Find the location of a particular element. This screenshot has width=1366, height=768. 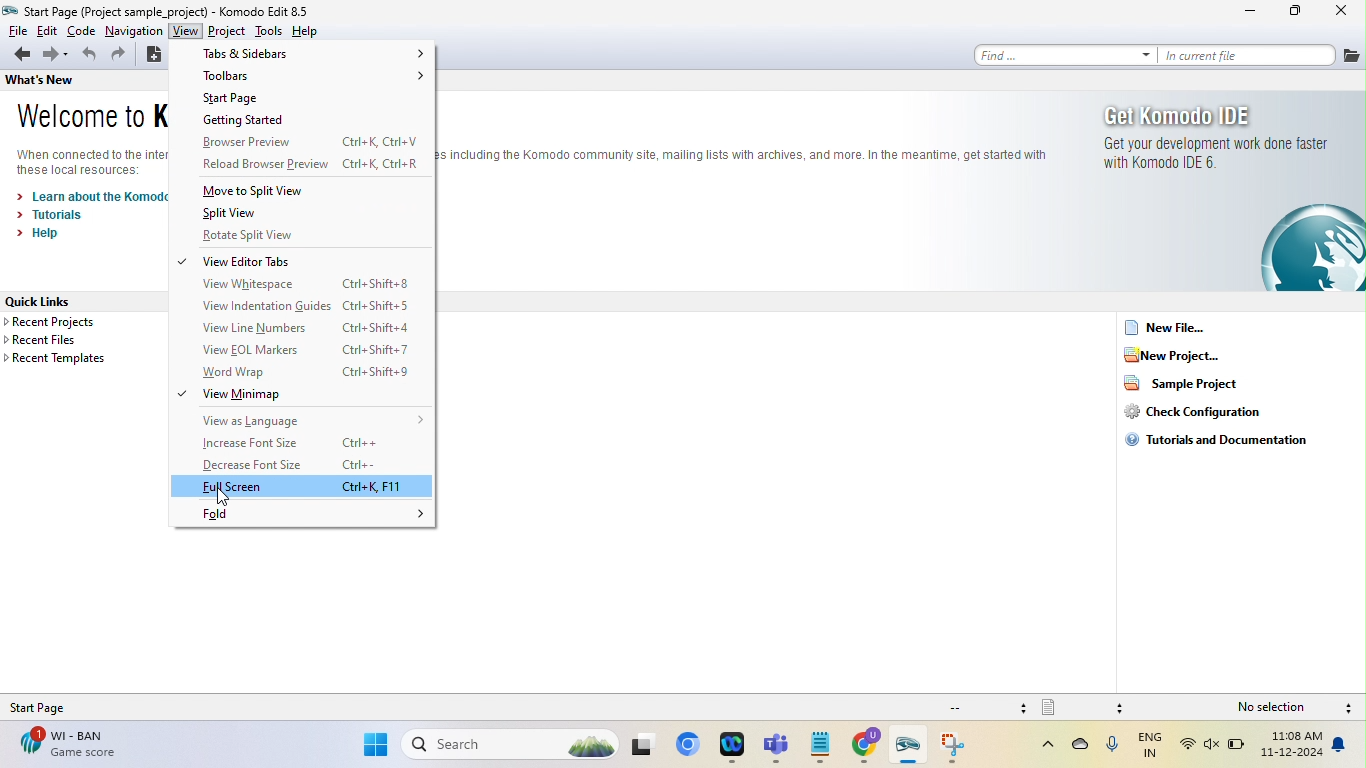

welcome to komodo edit is located at coordinates (91, 117).